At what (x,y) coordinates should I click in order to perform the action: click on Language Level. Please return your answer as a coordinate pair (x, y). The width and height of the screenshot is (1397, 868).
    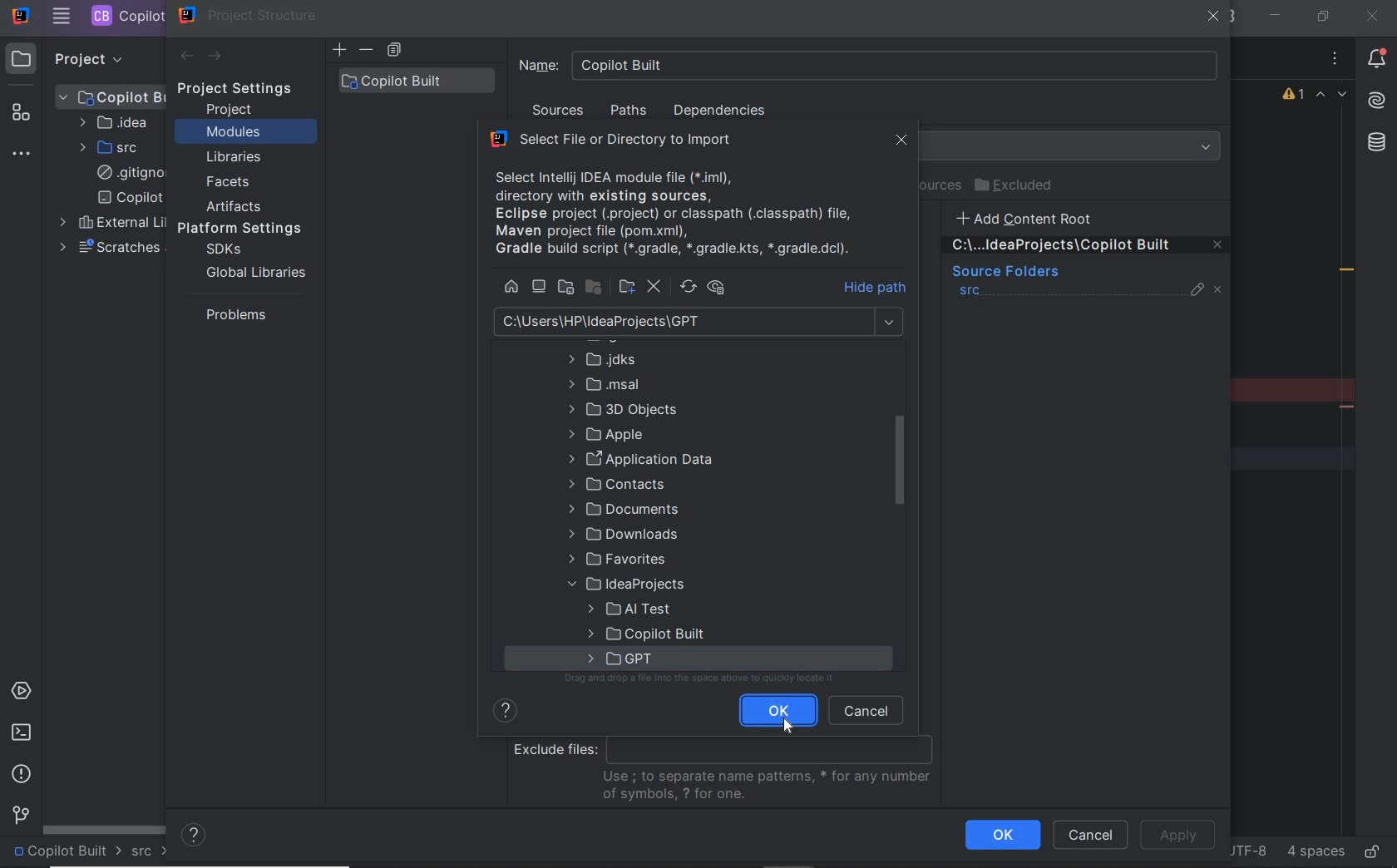
    Looking at the image, I should click on (1073, 146).